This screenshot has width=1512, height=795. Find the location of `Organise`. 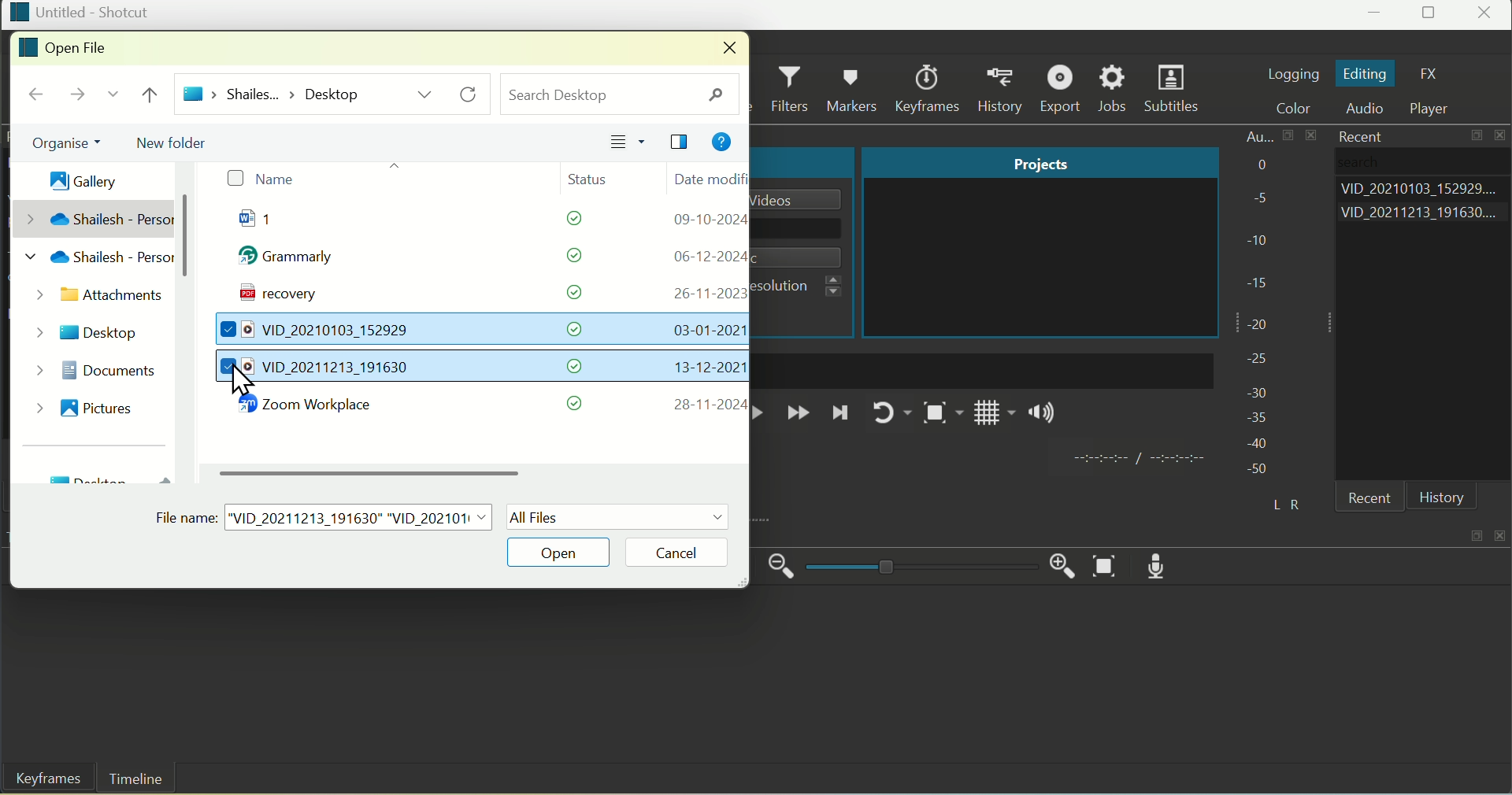

Organise is located at coordinates (59, 143).